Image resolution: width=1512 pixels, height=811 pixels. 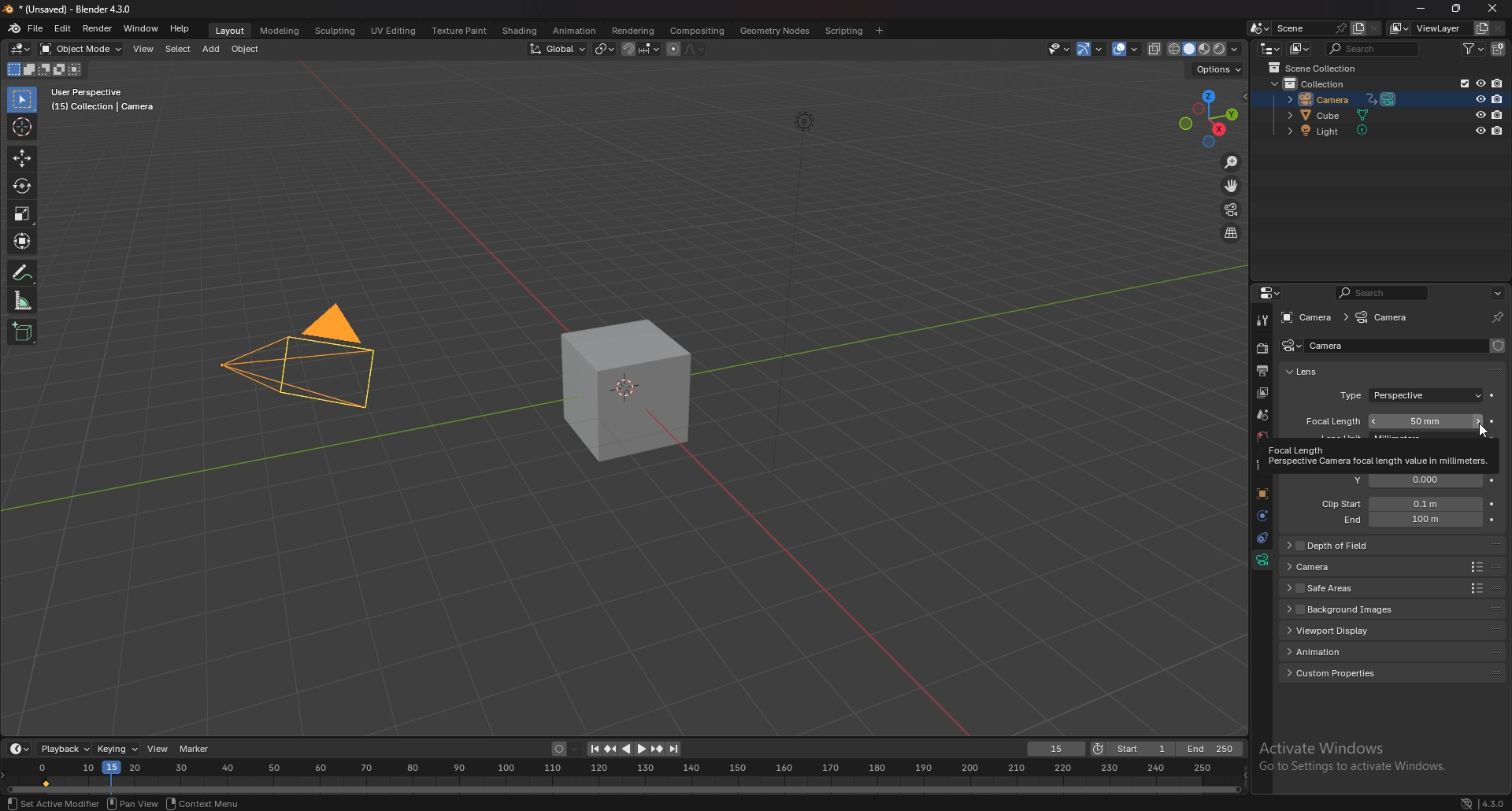 What do you see at coordinates (1351, 566) in the screenshot?
I see `camera` at bounding box center [1351, 566].